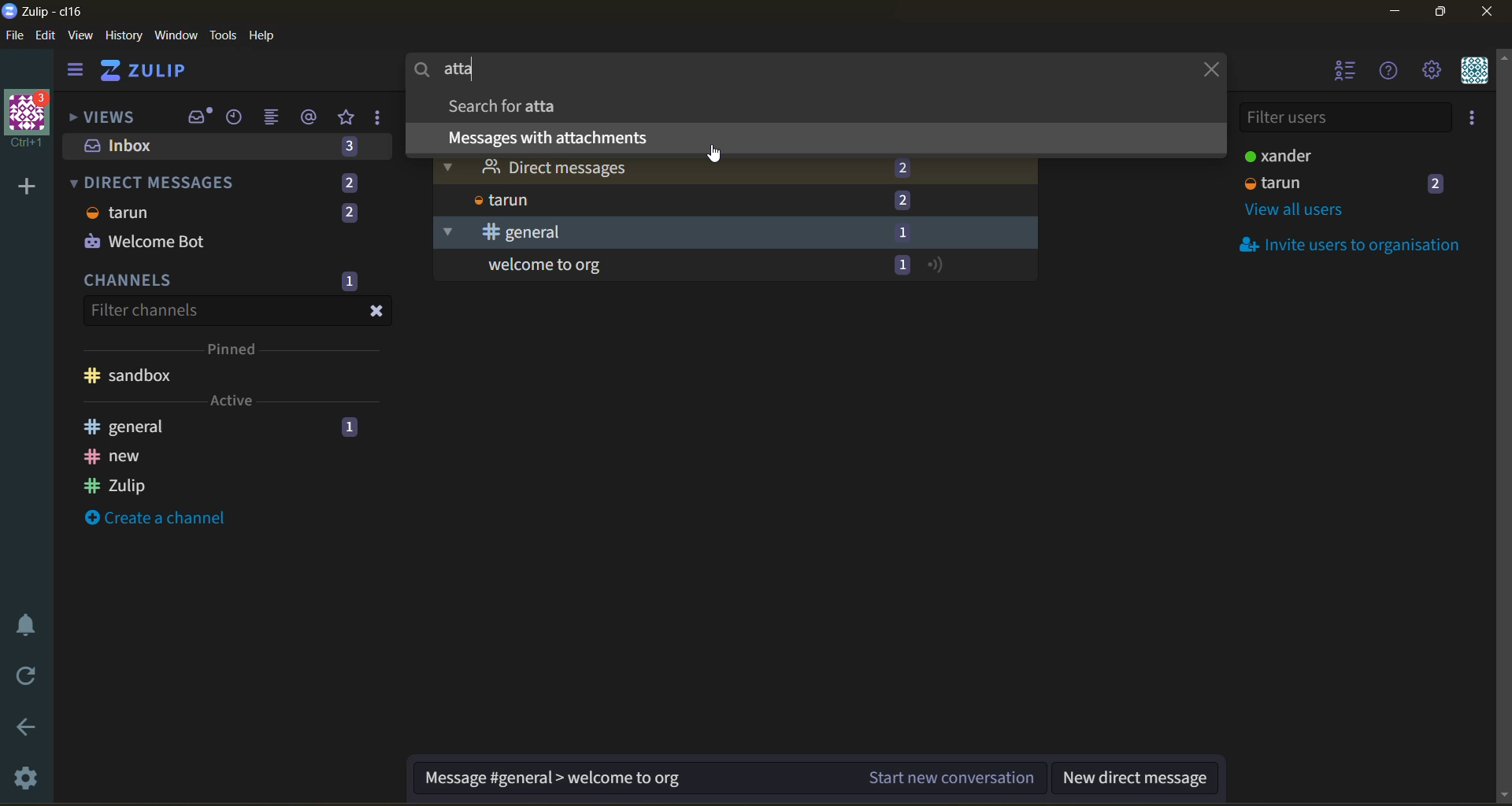 This screenshot has height=806, width=1512. I want to click on Message #general > welcome to org, so click(552, 779).